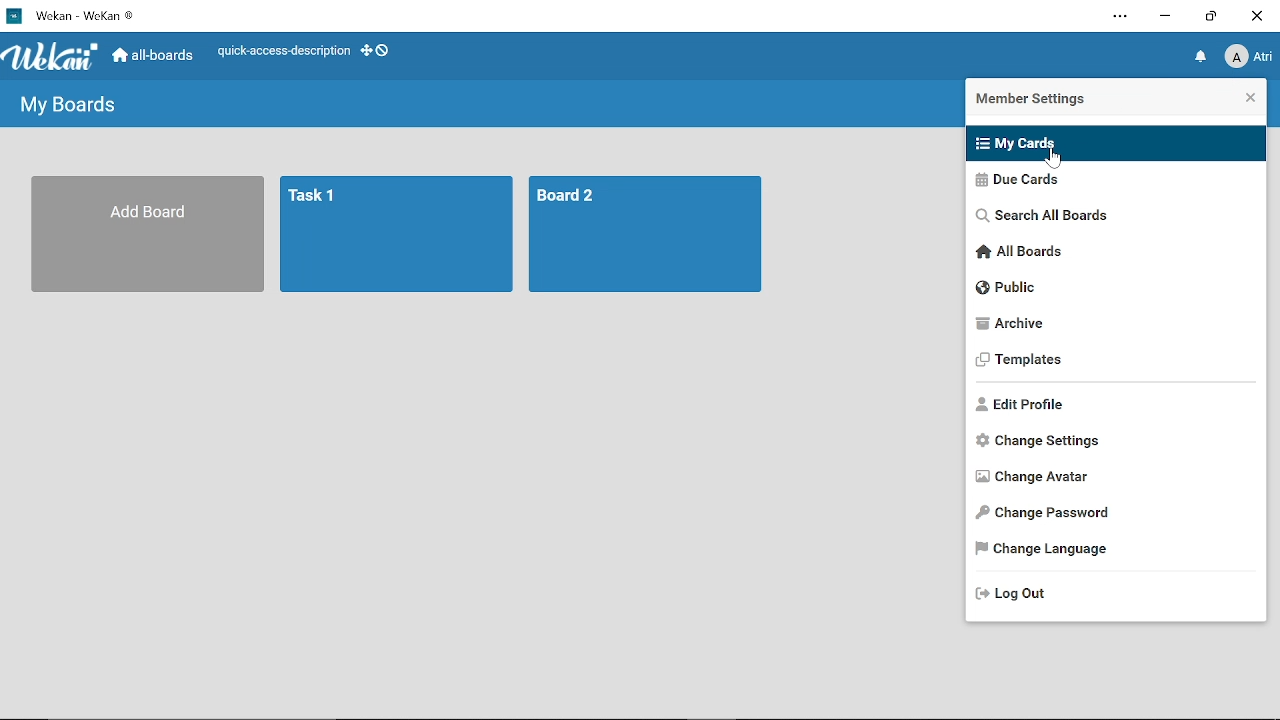 This screenshot has width=1280, height=720. I want to click on Due cards, so click(1106, 183).